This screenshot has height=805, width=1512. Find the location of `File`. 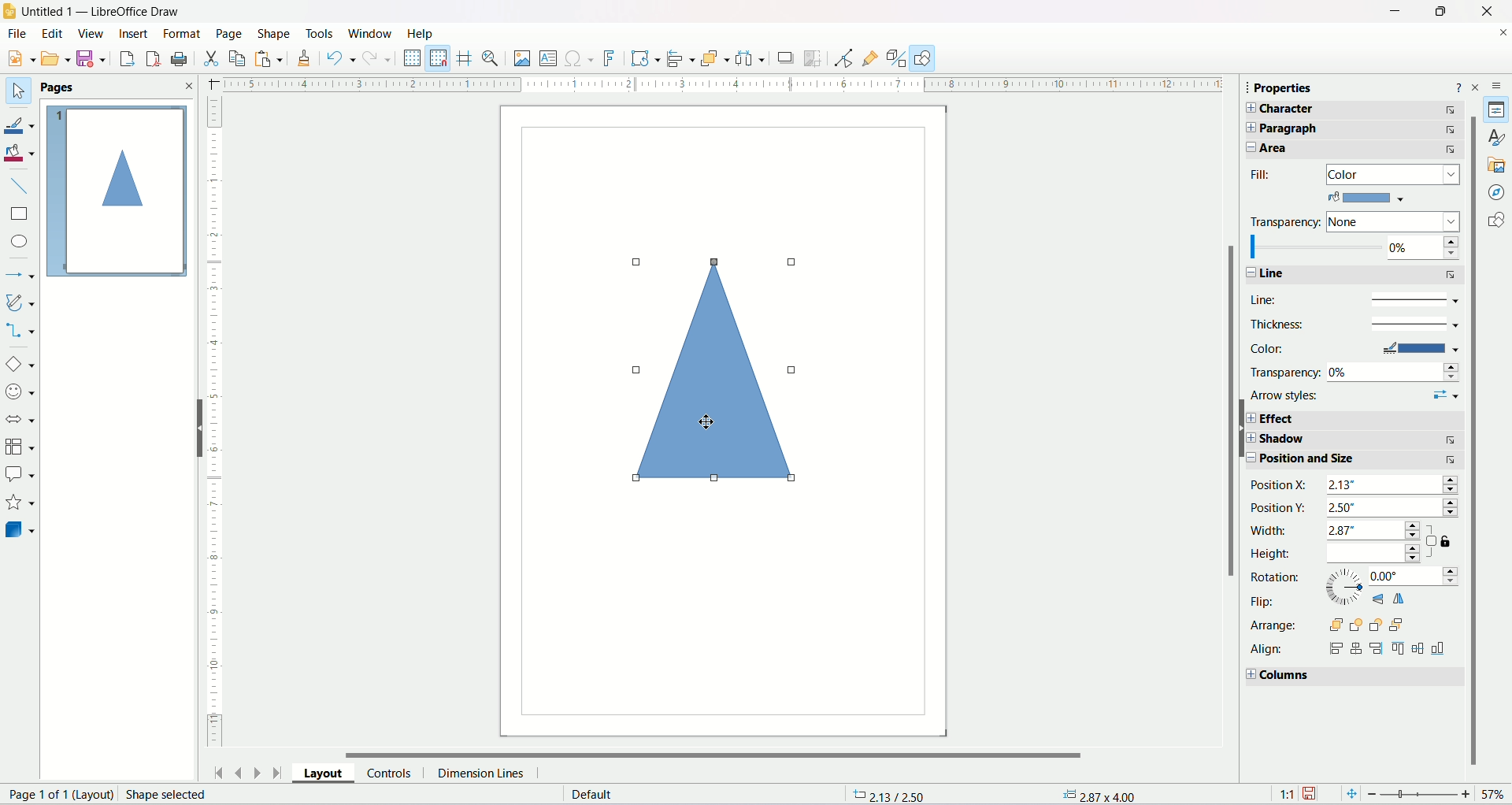

File is located at coordinates (15, 33).